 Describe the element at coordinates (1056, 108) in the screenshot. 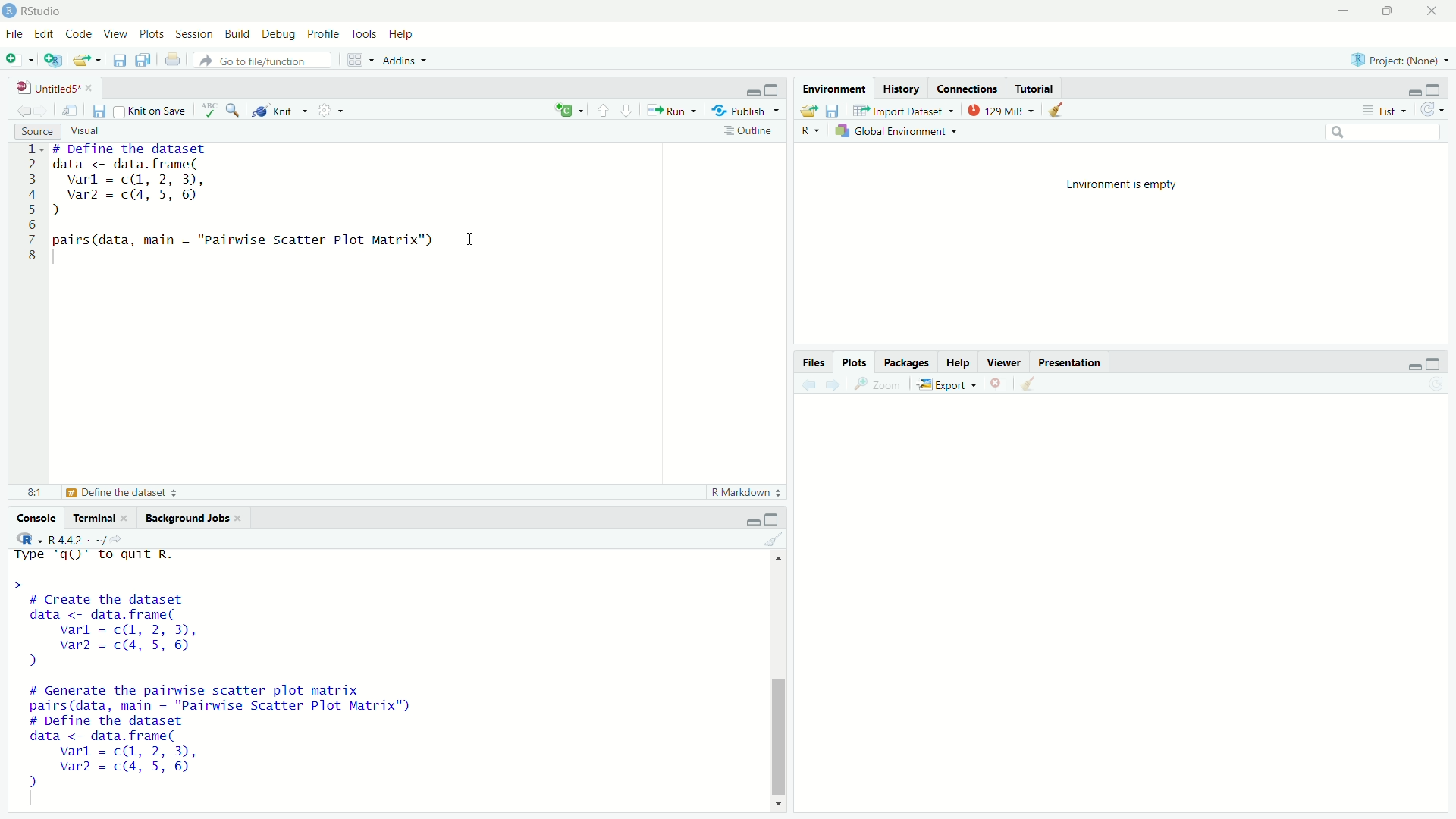

I see `Clear console (Ctrl +L)` at that location.